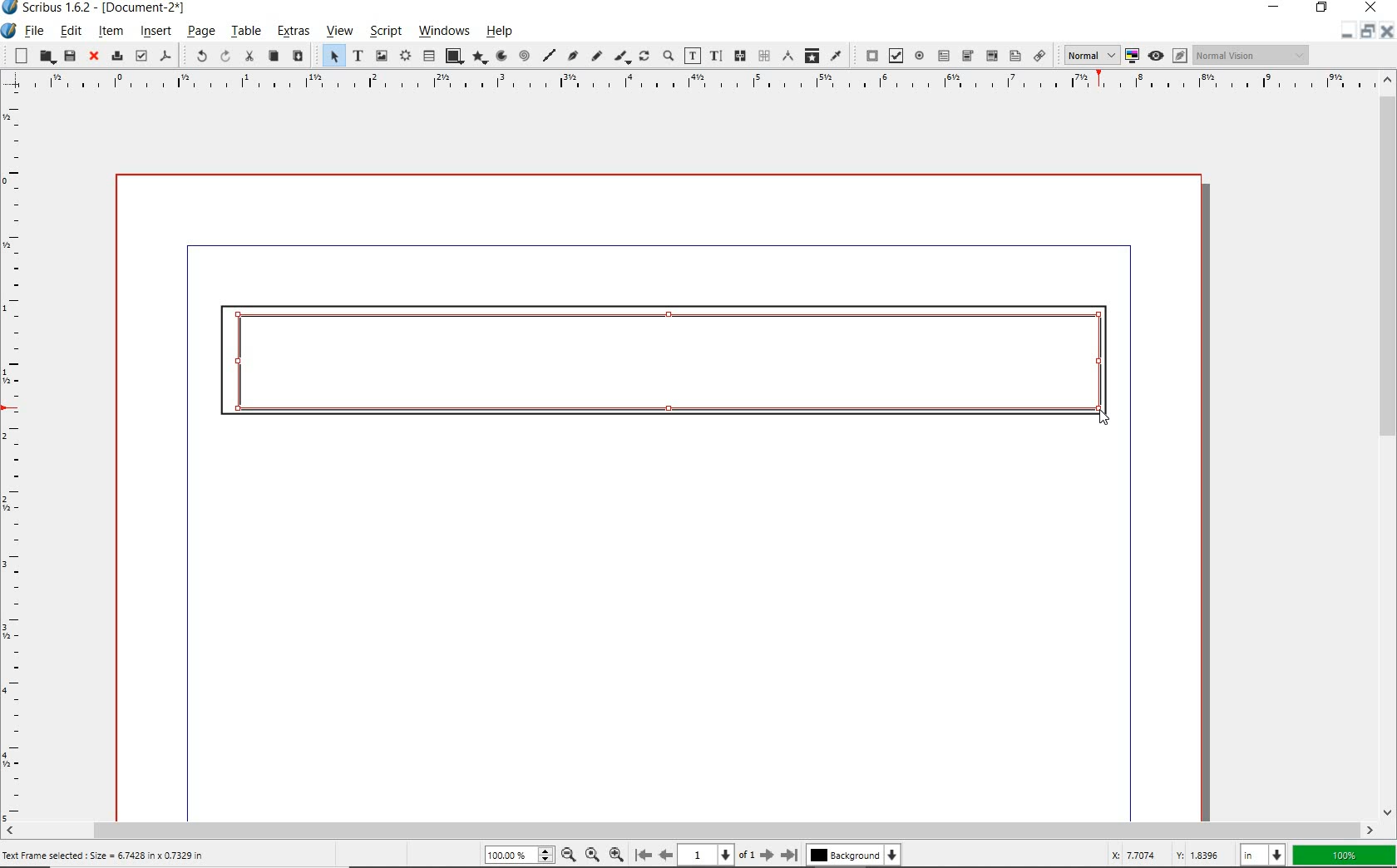 This screenshot has height=868, width=1397. Describe the element at coordinates (1275, 7) in the screenshot. I see `minimize` at that location.